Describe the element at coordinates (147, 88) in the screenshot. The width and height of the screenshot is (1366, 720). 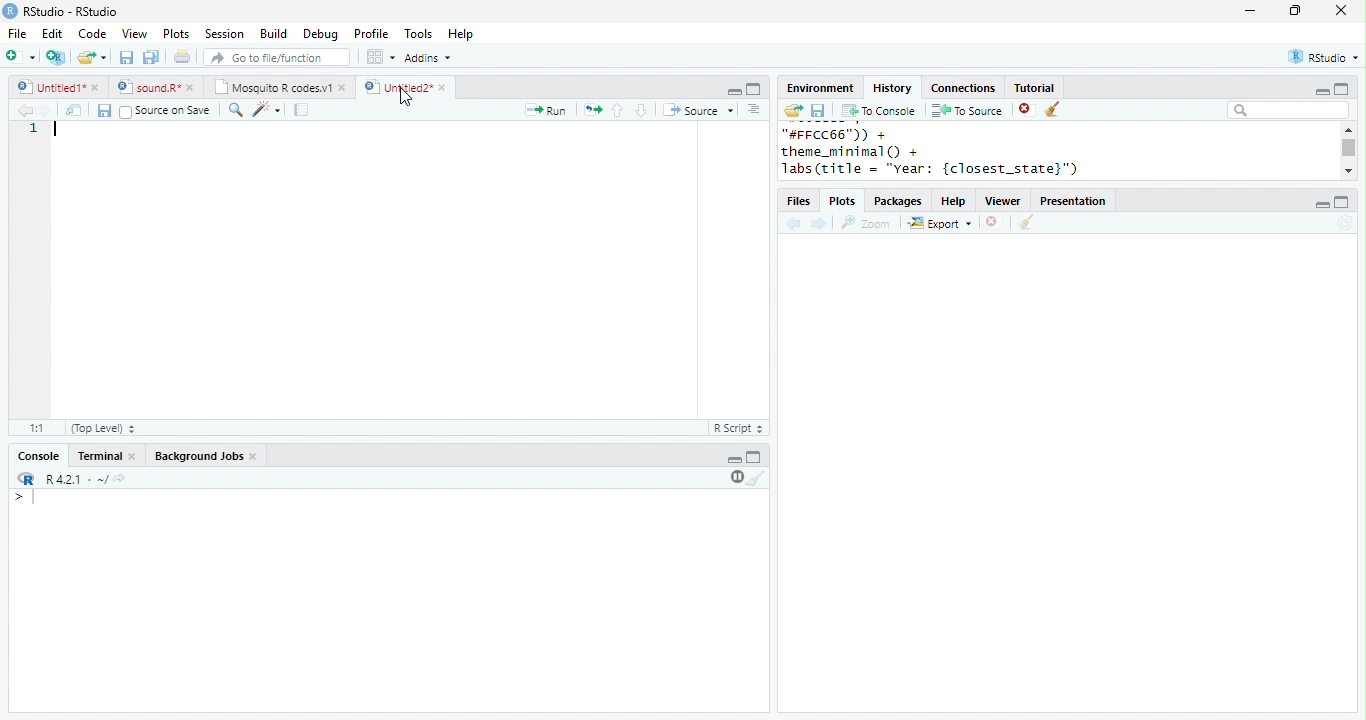
I see `sound.R` at that location.